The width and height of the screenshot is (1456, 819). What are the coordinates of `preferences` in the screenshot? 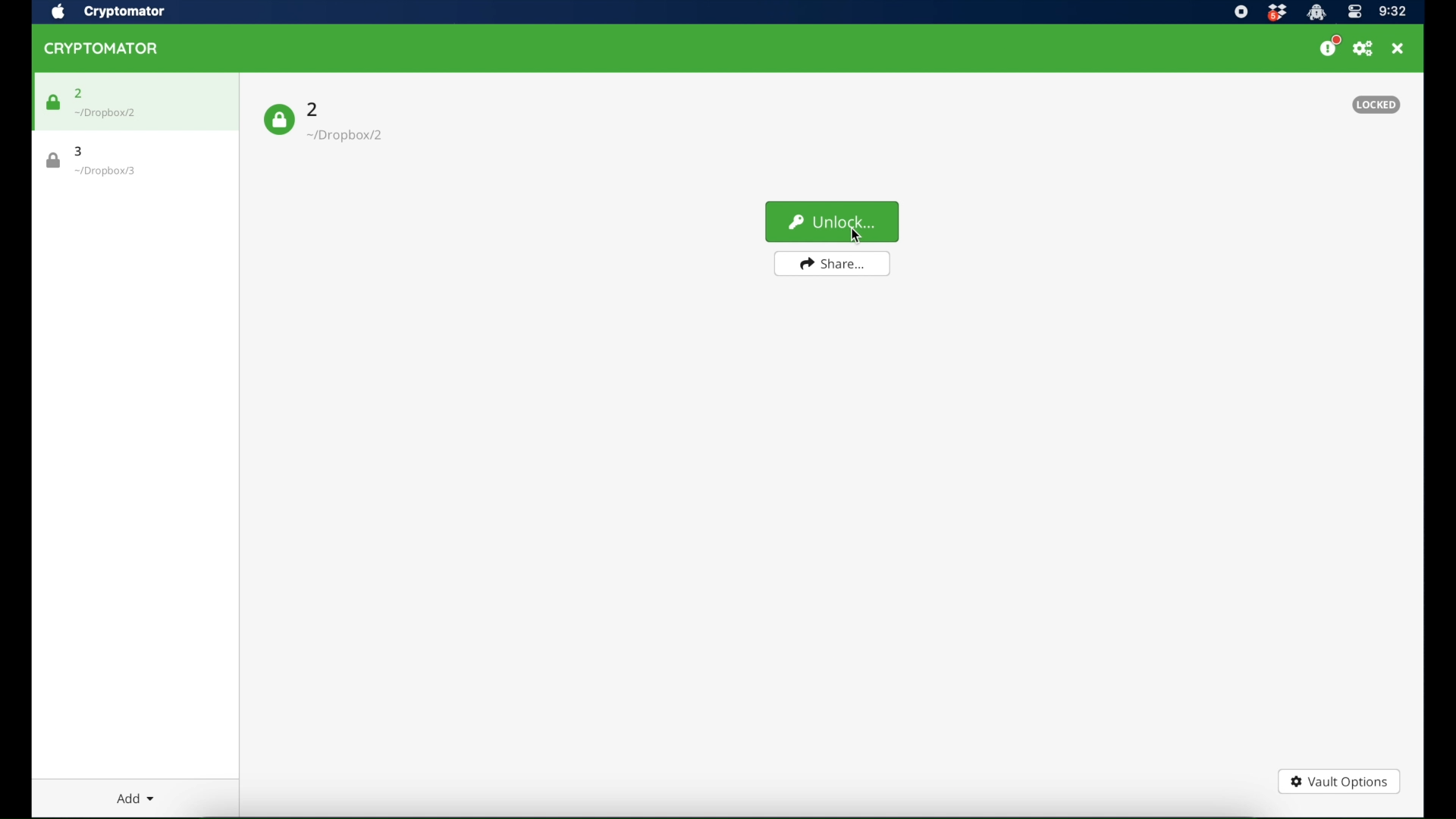 It's located at (1364, 49).